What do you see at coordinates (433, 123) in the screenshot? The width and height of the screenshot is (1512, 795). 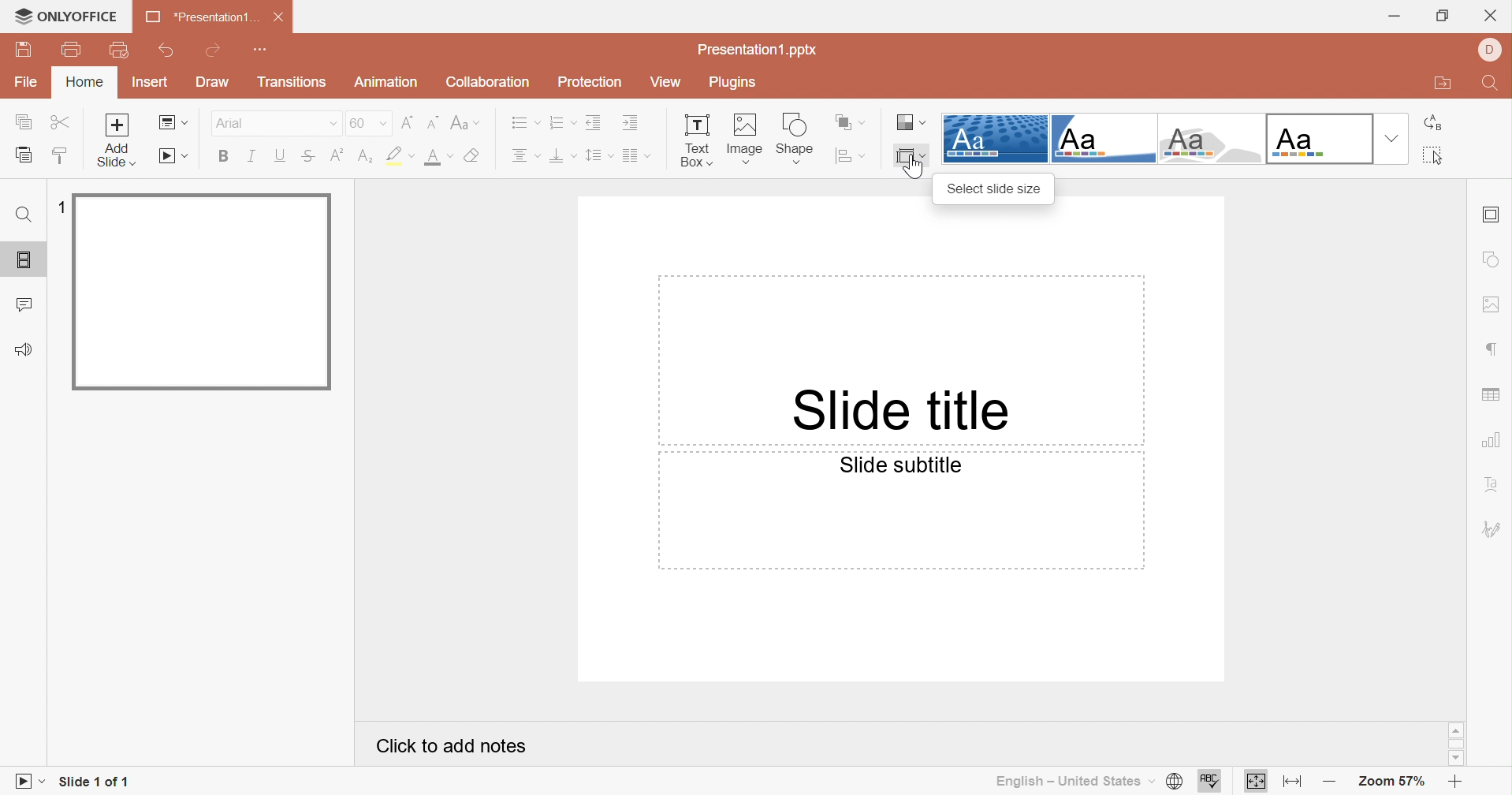 I see `Decrement font size` at bounding box center [433, 123].